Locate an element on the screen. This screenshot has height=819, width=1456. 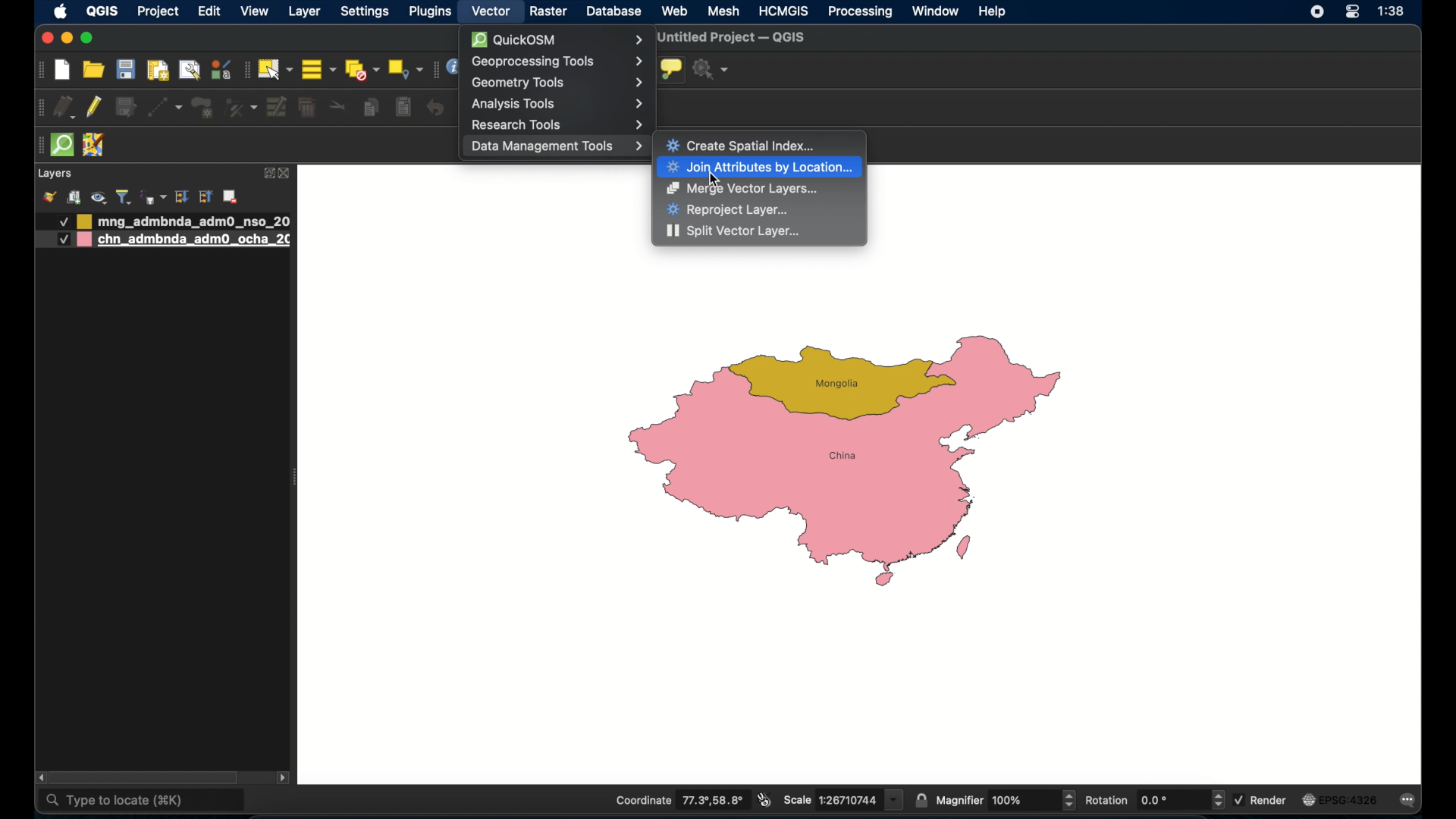
mesh is located at coordinates (723, 11).